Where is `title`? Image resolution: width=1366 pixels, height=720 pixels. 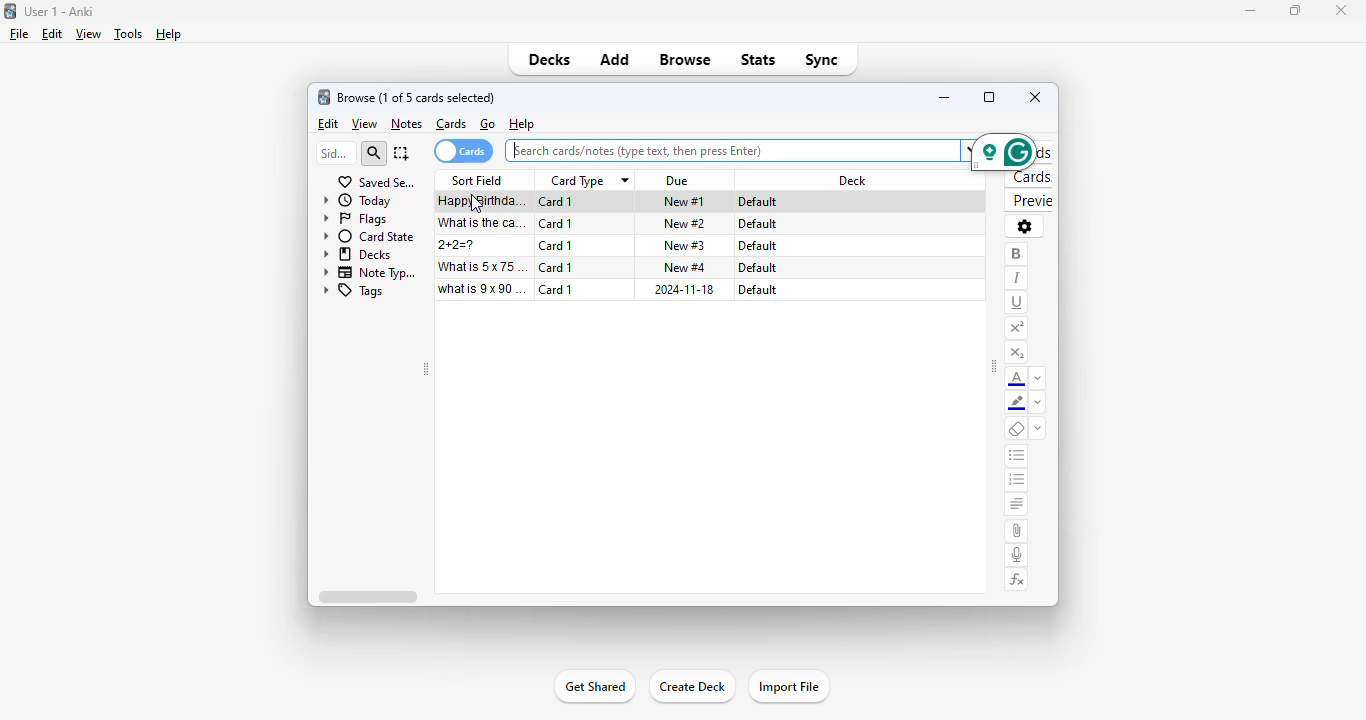
title is located at coordinates (58, 12).